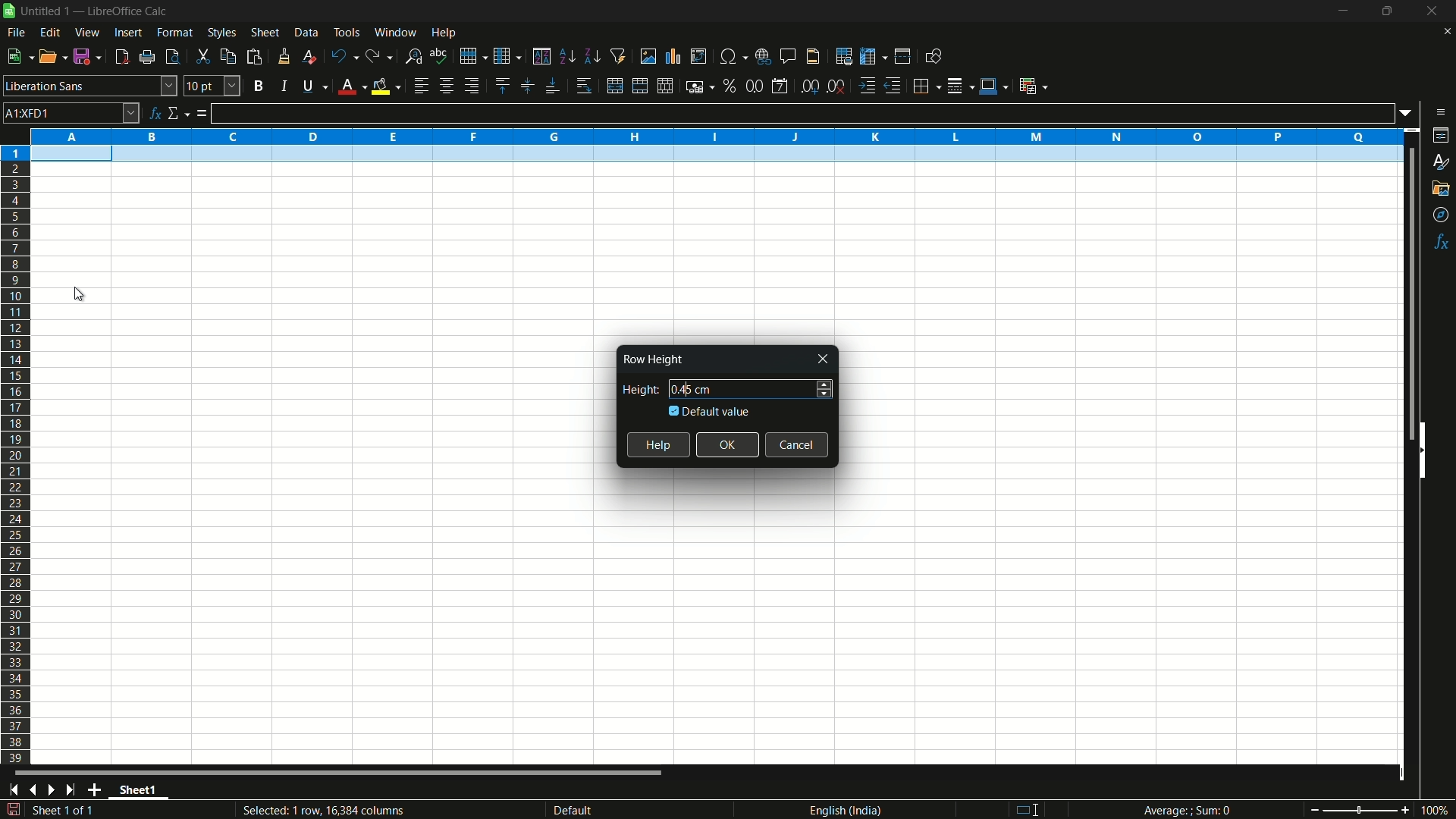  I want to click on insert chart, so click(673, 55).